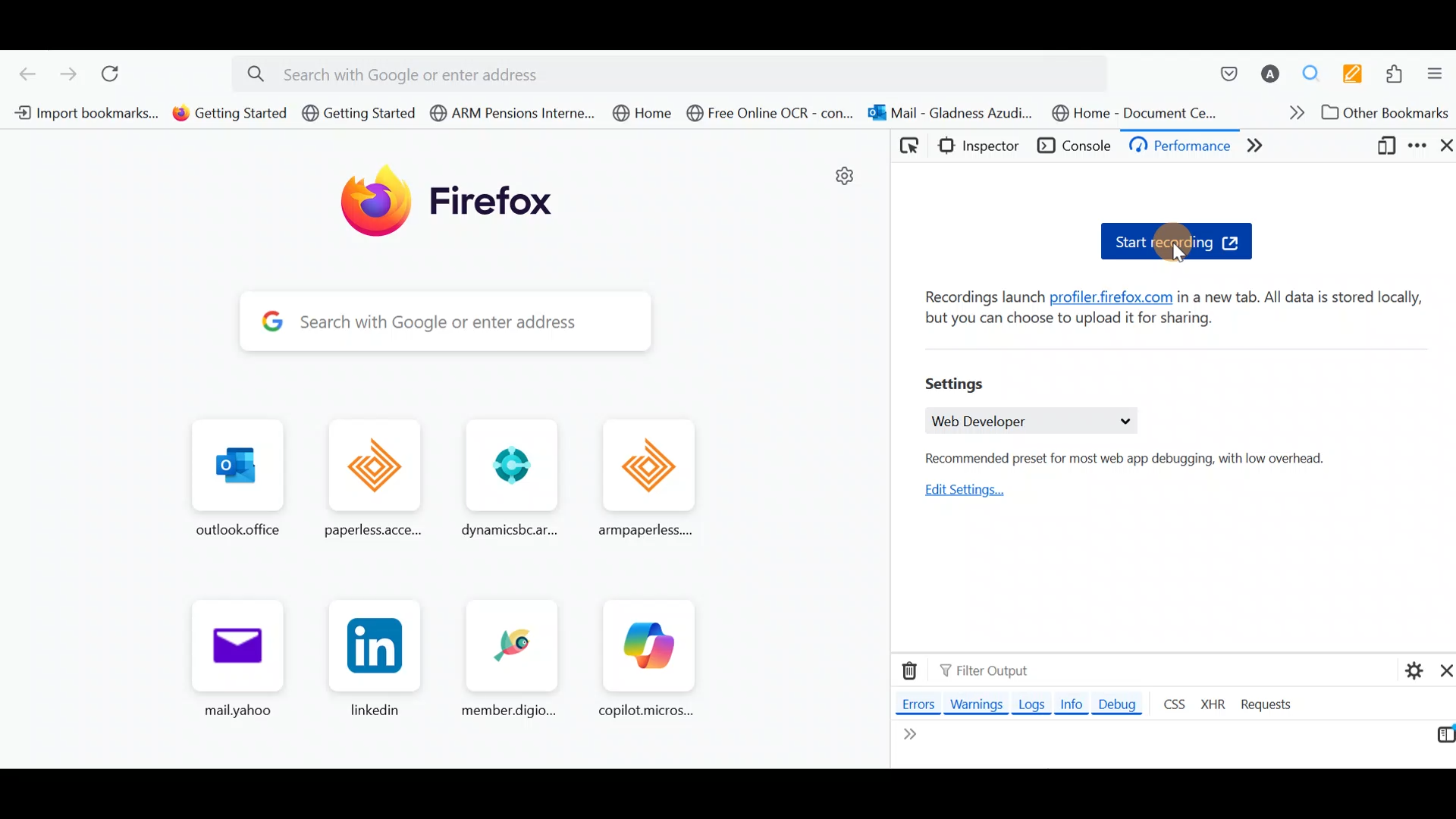 This screenshot has height=819, width=1456. I want to click on Pick an element from the page, so click(908, 146).